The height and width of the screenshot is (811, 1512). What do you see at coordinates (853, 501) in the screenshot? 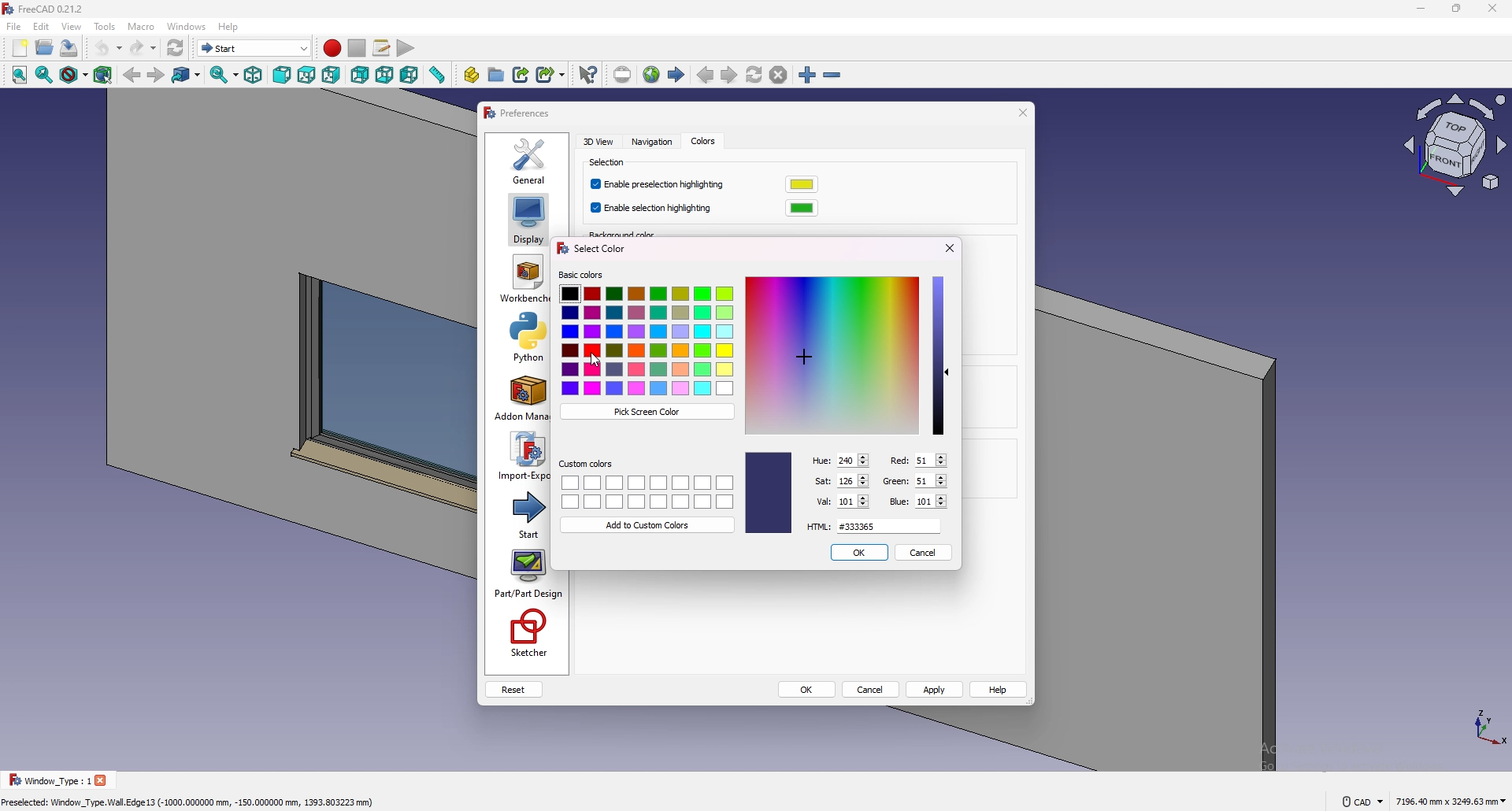
I see `101` at bounding box center [853, 501].